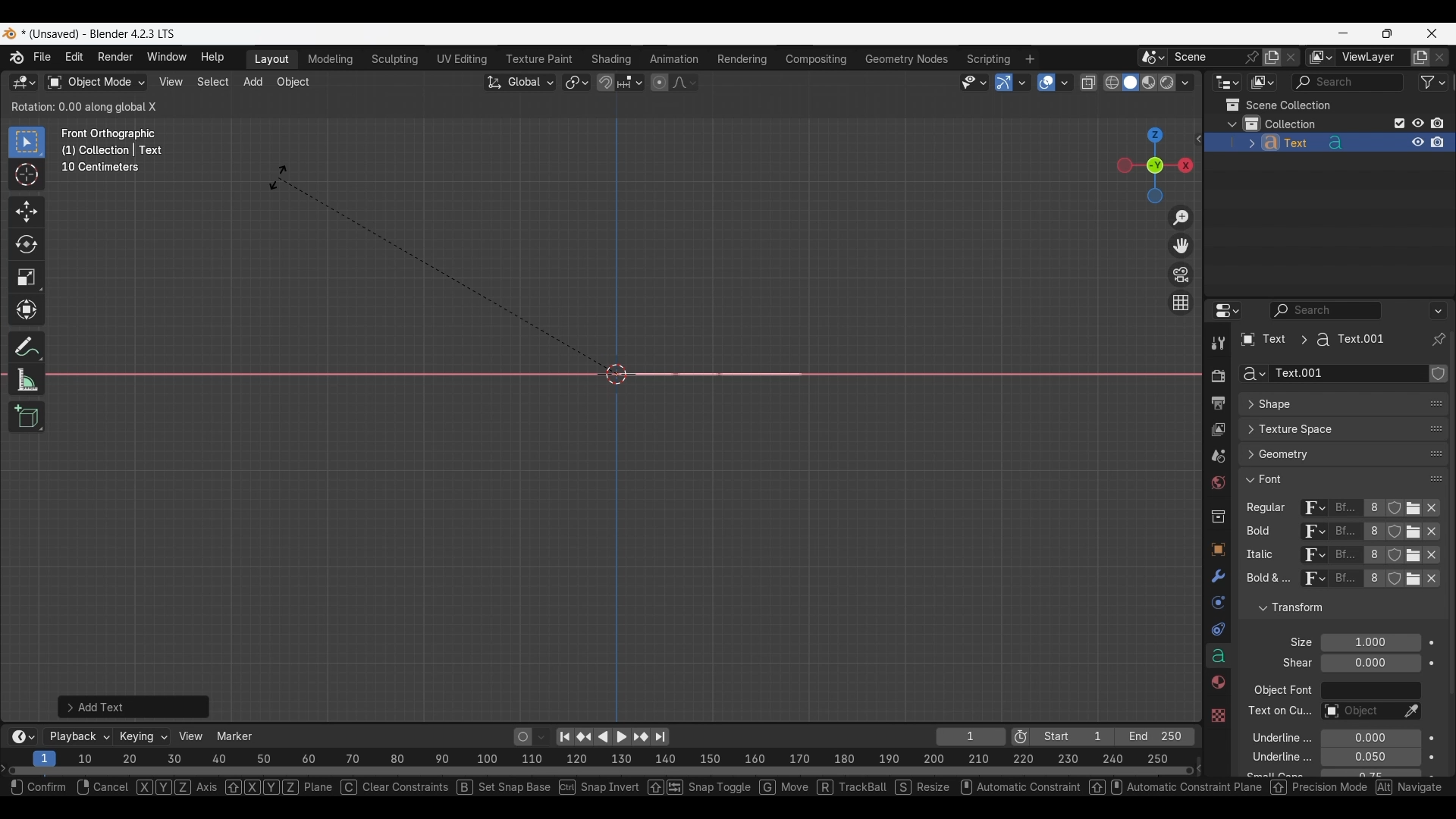  I want to click on More about Blender, so click(17, 58).